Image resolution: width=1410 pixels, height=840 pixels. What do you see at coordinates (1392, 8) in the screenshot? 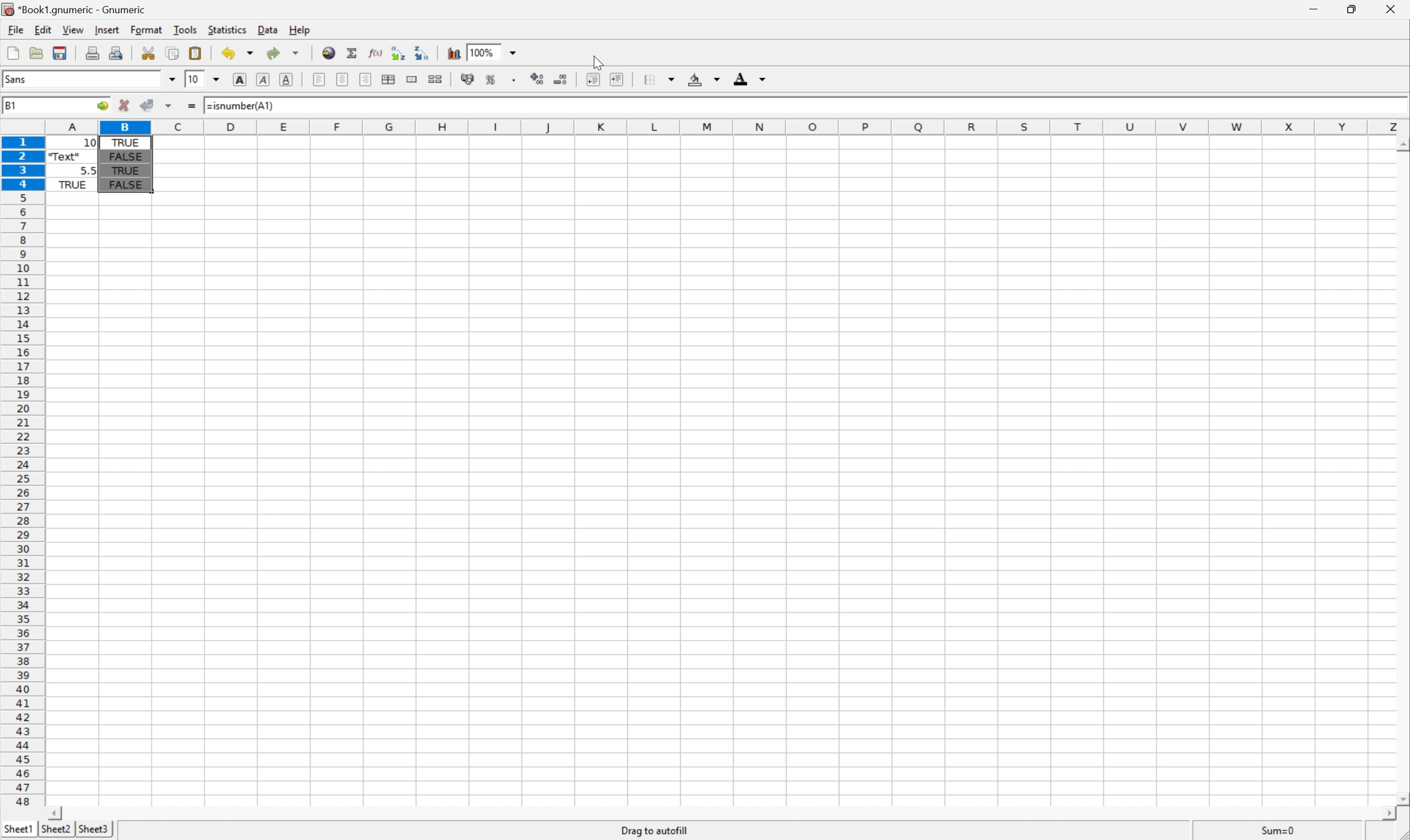
I see `Close` at bounding box center [1392, 8].